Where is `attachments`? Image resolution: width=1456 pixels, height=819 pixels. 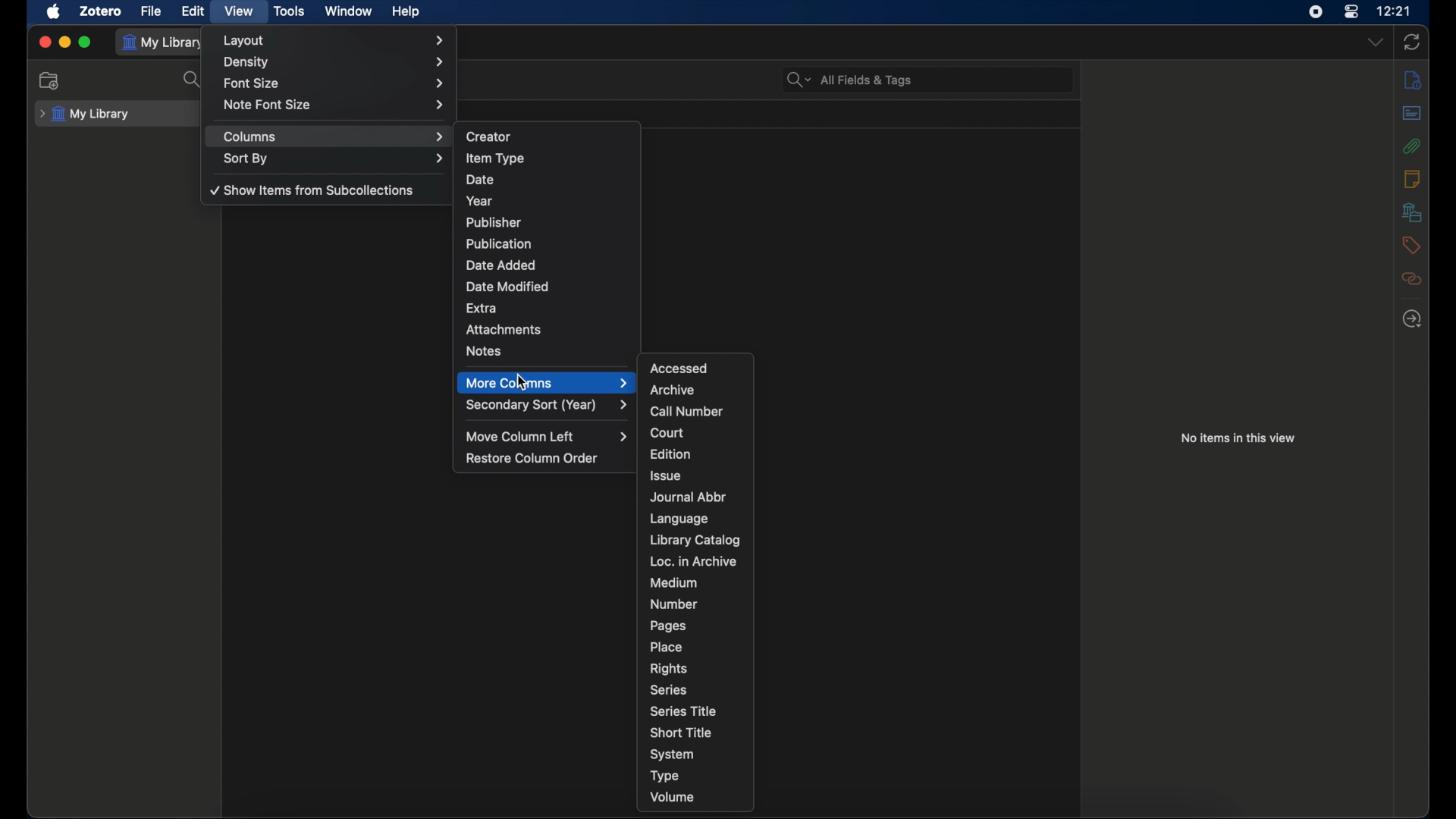 attachments is located at coordinates (1411, 146).